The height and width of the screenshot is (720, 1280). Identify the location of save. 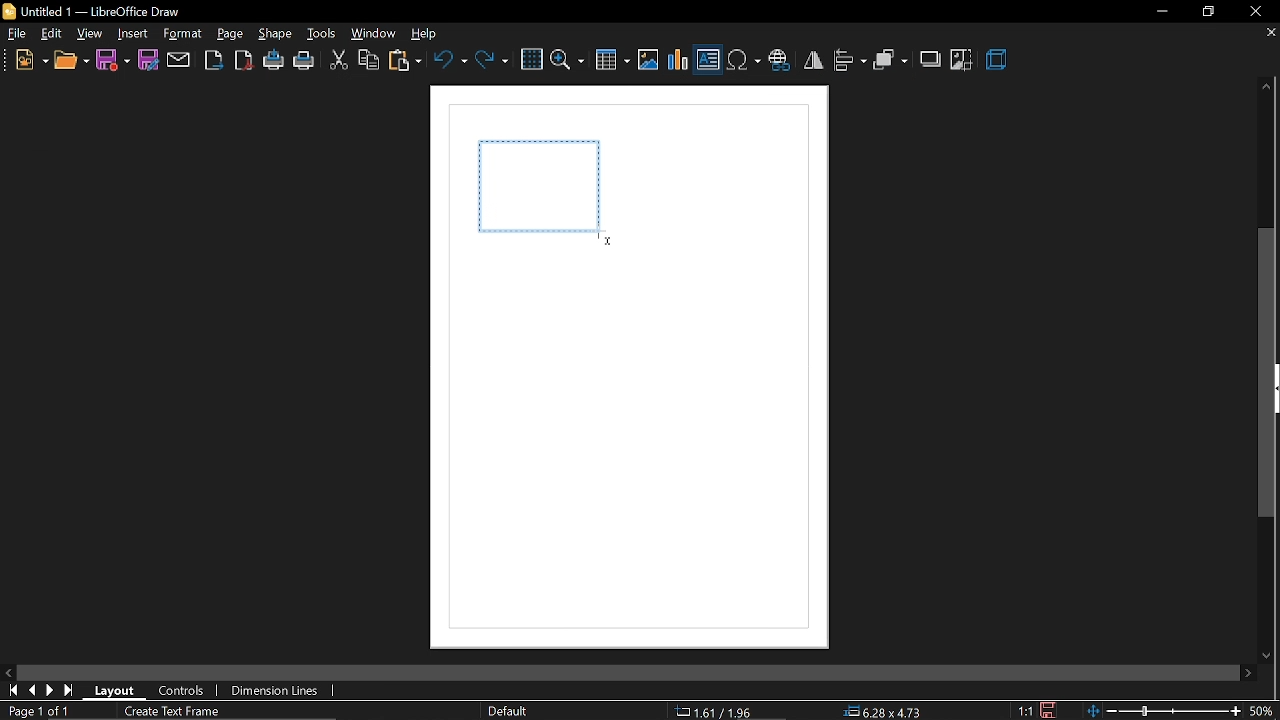
(113, 59).